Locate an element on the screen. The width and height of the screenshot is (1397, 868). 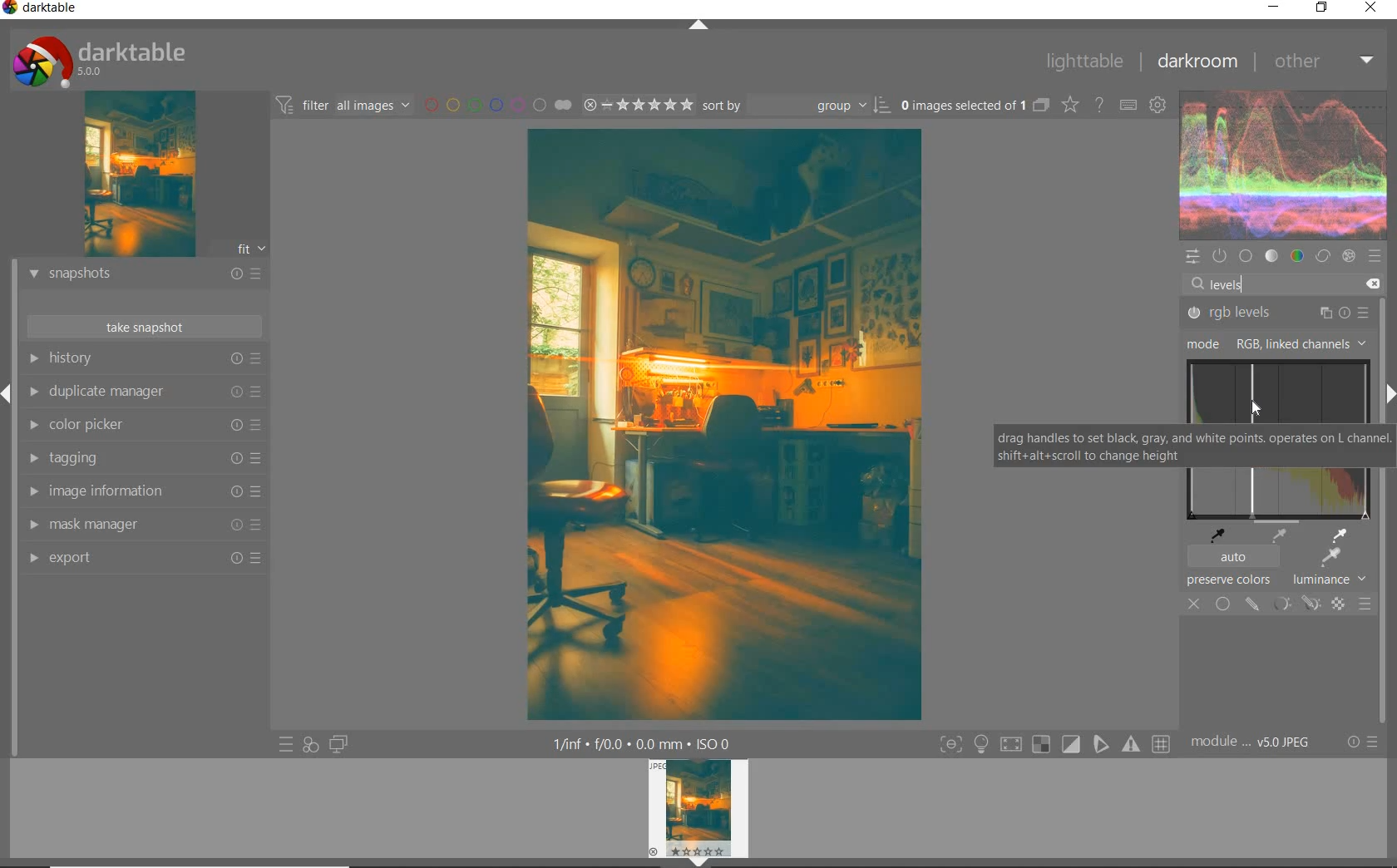
other is located at coordinates (1323, 62).